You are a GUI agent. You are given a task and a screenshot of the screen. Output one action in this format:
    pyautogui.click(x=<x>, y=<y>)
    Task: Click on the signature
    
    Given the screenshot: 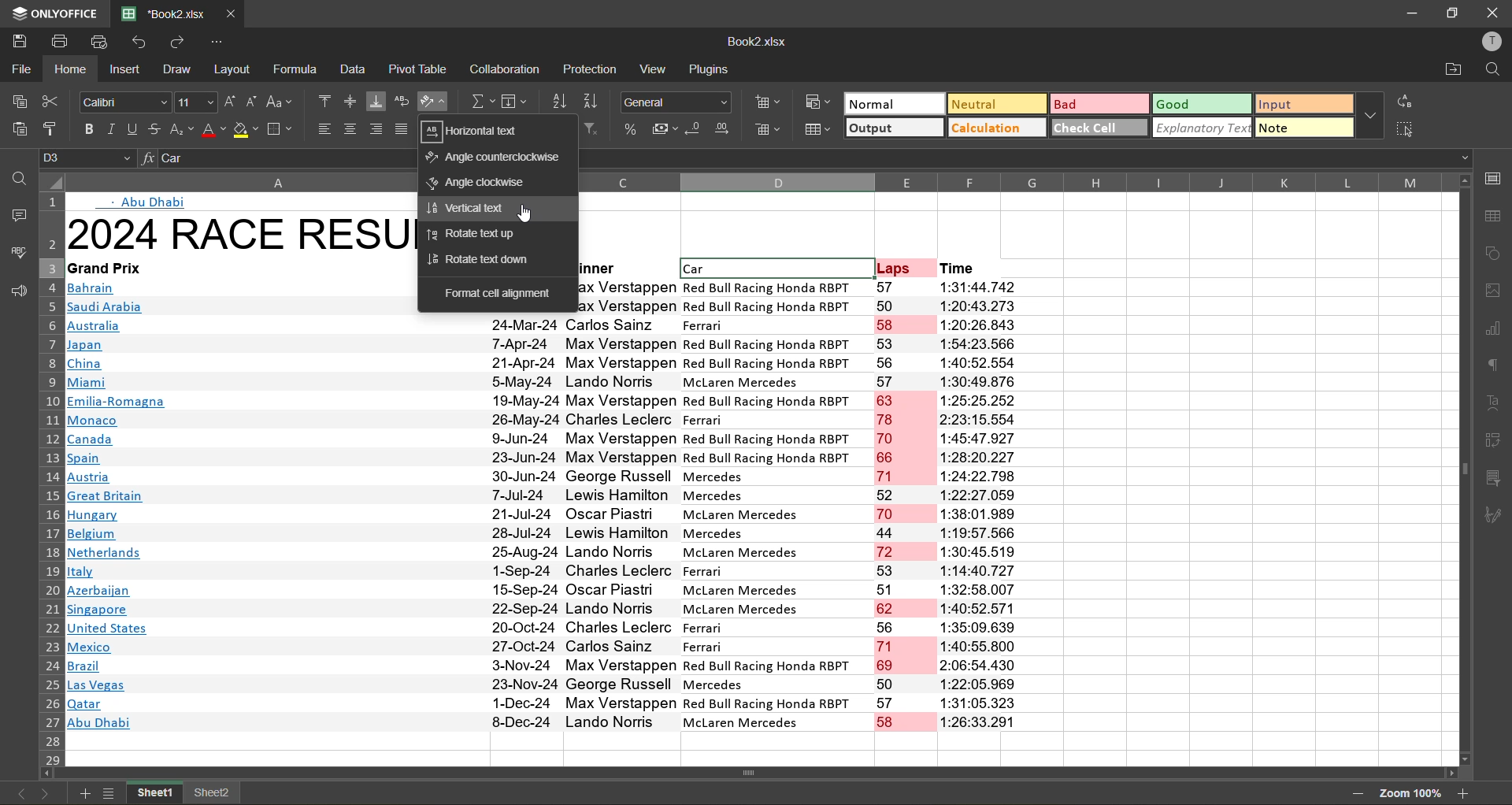 What is the action you would take?
    pyautogui.click(x=1492, y=517)
    